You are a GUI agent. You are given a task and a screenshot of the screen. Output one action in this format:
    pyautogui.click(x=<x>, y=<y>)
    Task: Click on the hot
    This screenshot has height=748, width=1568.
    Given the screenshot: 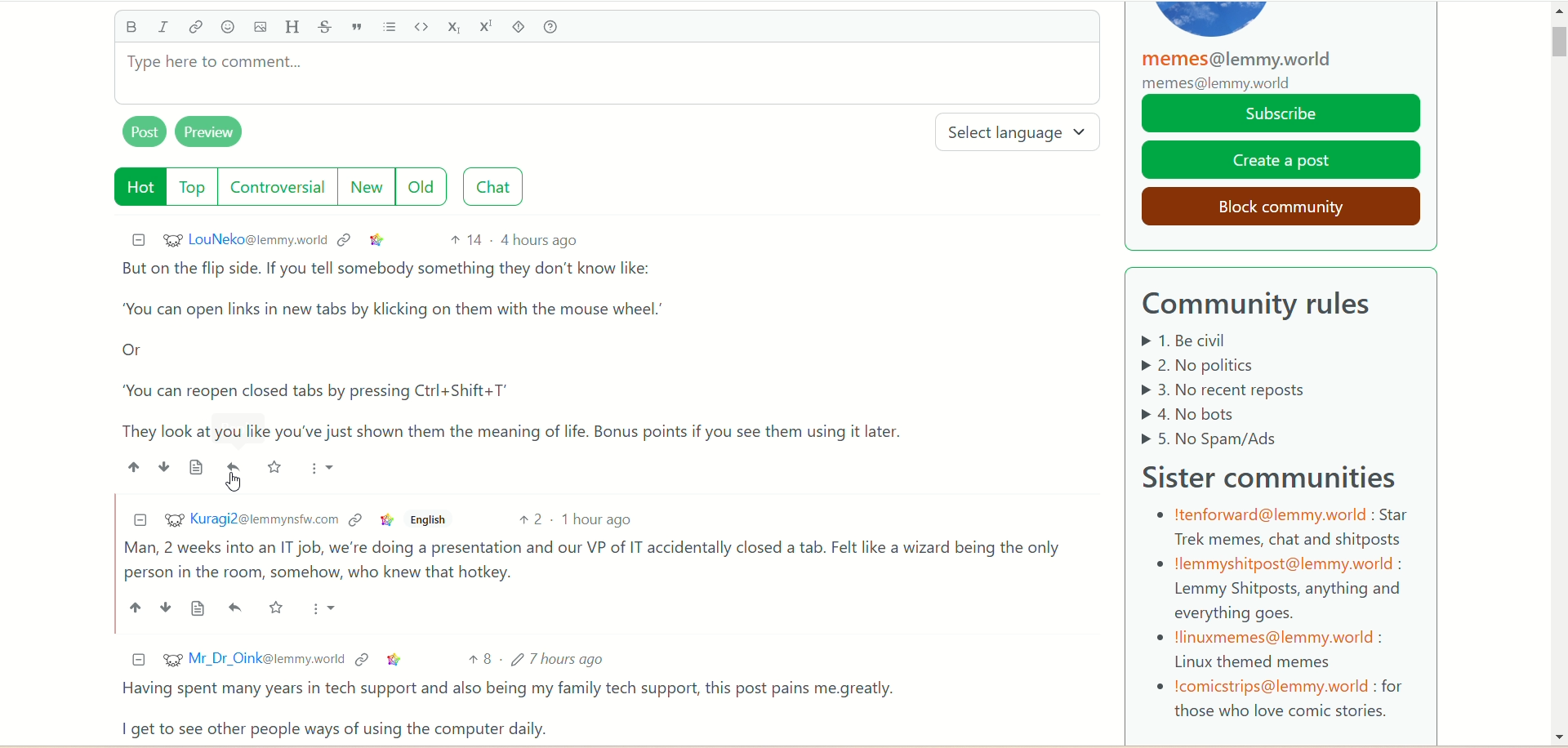 What is the action you would take?
    pyautogui.click(x=133, y=186)
    